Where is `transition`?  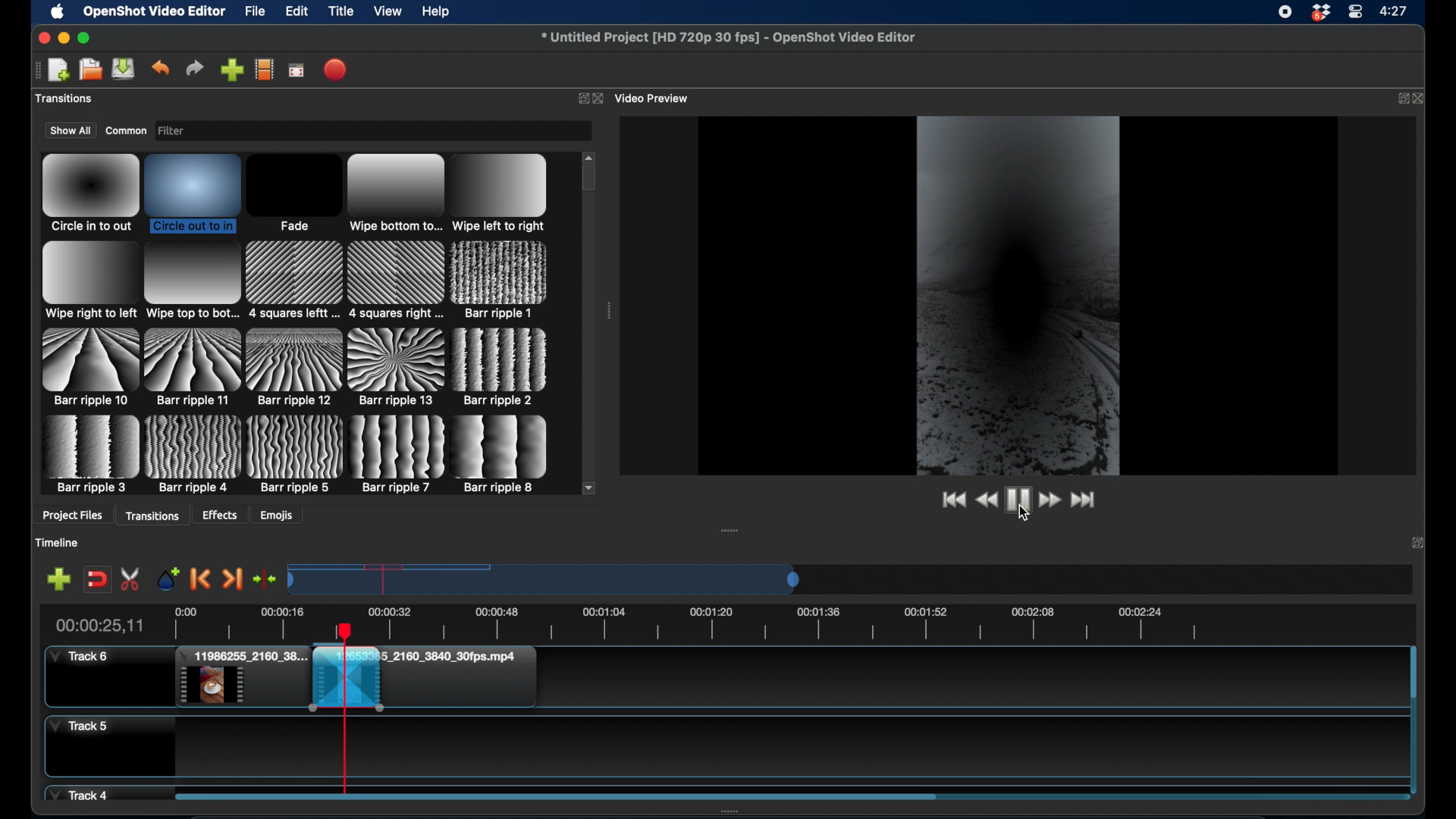
transition is located at coordinates (194, 454).